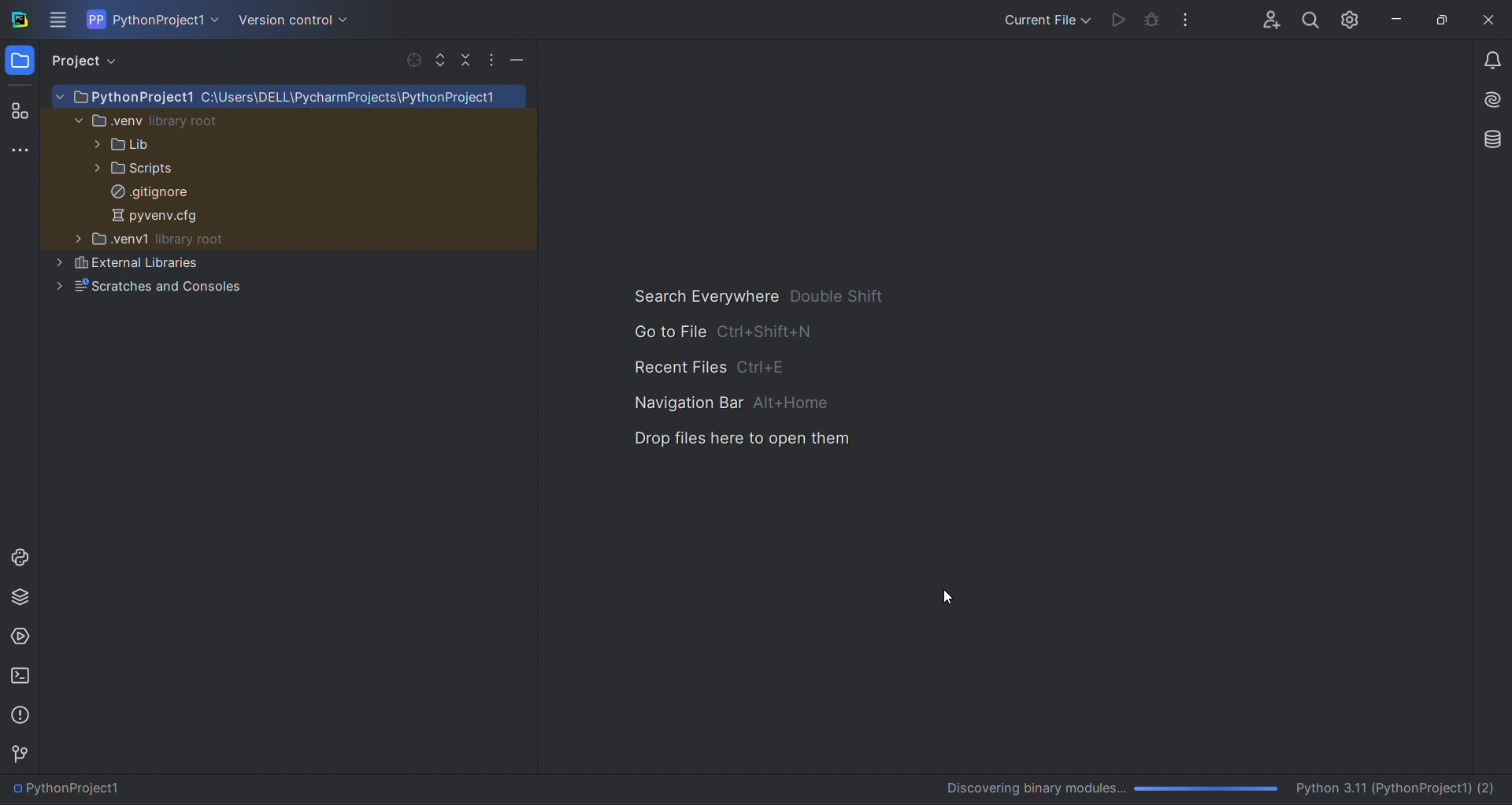 Image resolution: width=1512 pixels, height=805 pixels. I want to click on search, so click(1310, 17).